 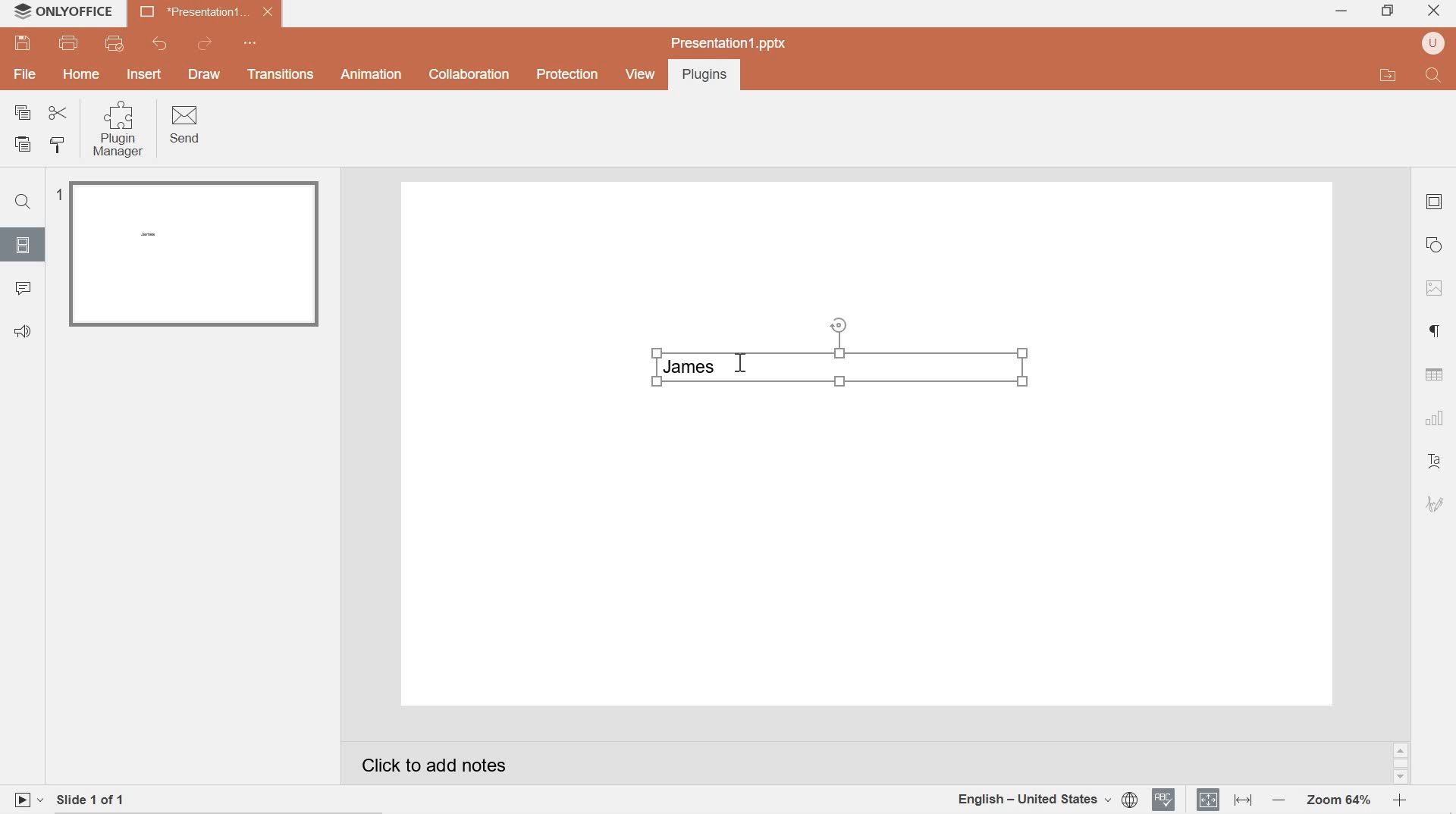 I want to click on presentation1.pptx, so click(x=728, y=42).